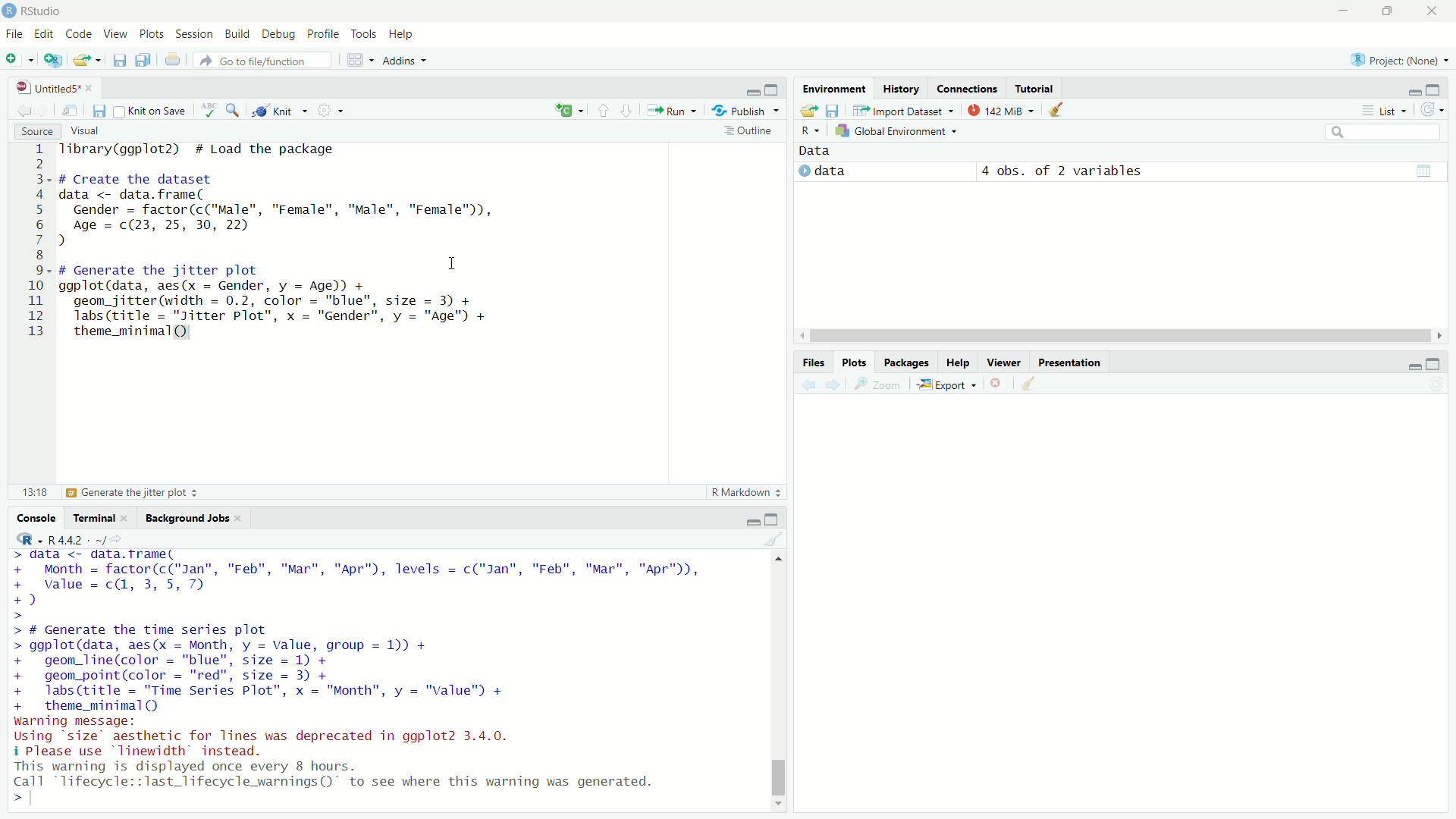  I want to click on minimize, so click(752, 88).